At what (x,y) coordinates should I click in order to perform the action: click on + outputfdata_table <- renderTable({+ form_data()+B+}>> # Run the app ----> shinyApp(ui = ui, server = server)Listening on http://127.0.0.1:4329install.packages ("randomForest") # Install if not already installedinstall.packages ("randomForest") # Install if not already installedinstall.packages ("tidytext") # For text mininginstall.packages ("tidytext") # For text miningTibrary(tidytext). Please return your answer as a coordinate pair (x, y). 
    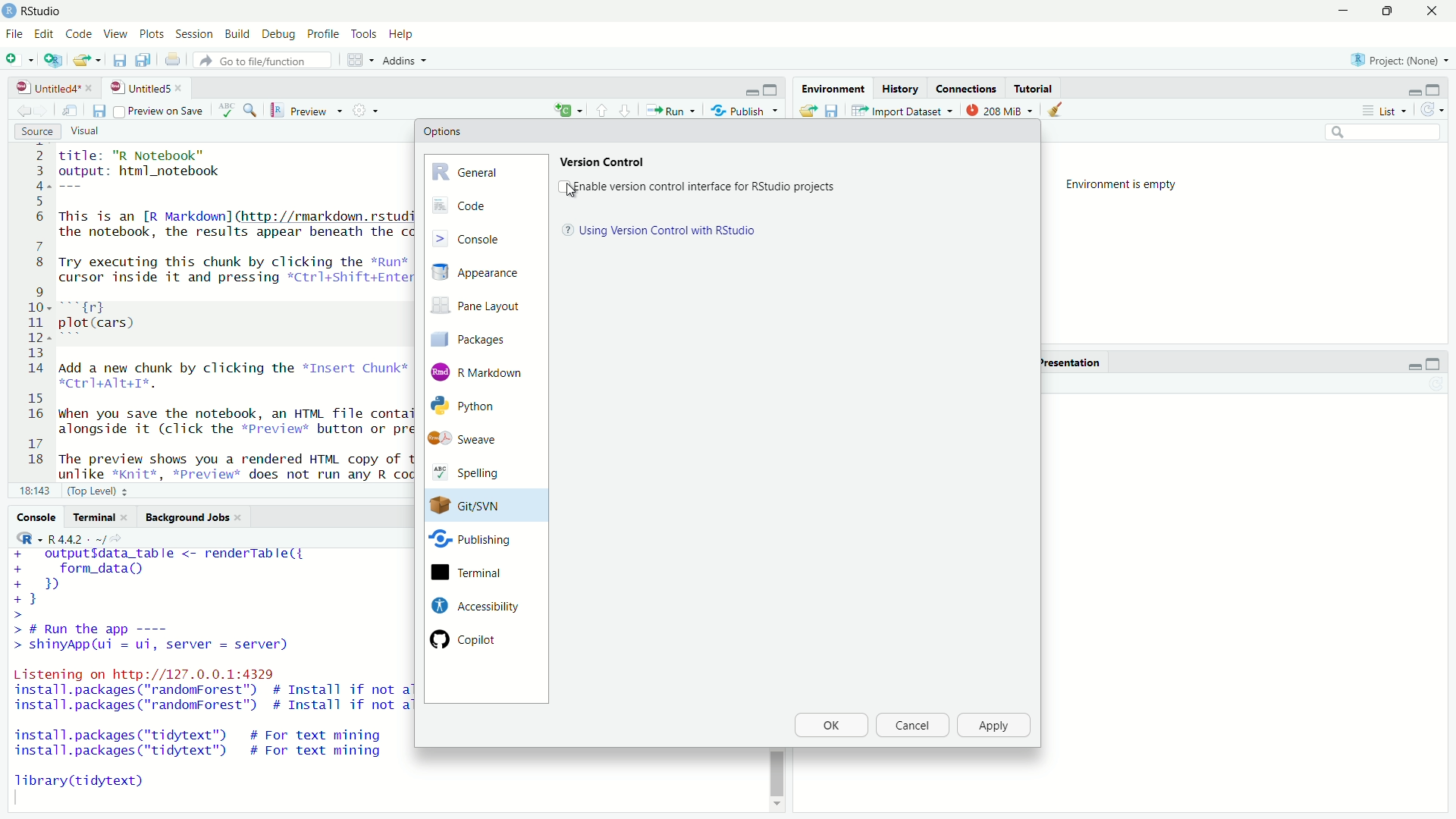
    Looking at the image, I should click on (209, 676).